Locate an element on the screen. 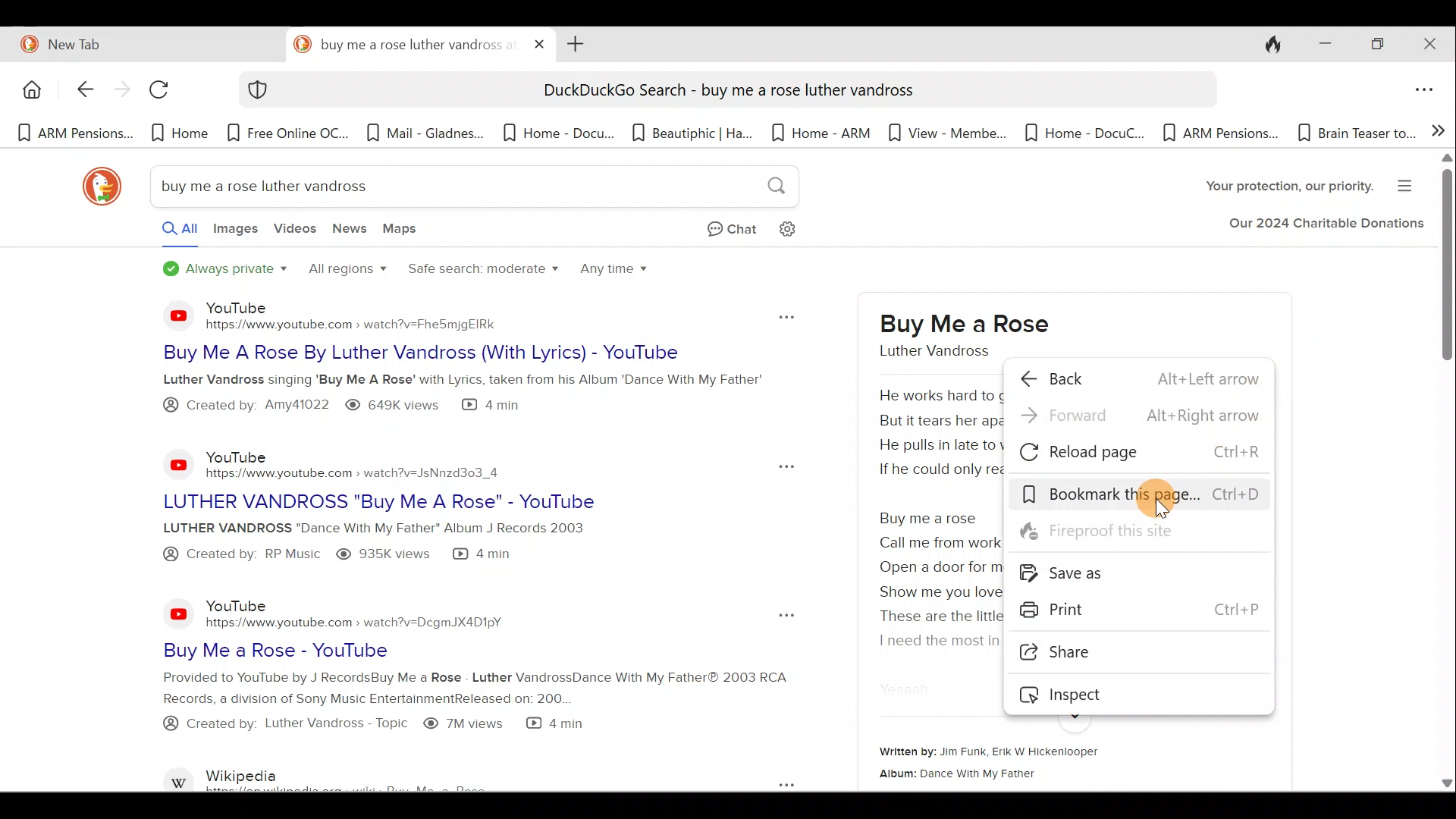 The height and width of the screenshot is (819, 1456). Bookmark 6 is located at coordinates (693, 132).